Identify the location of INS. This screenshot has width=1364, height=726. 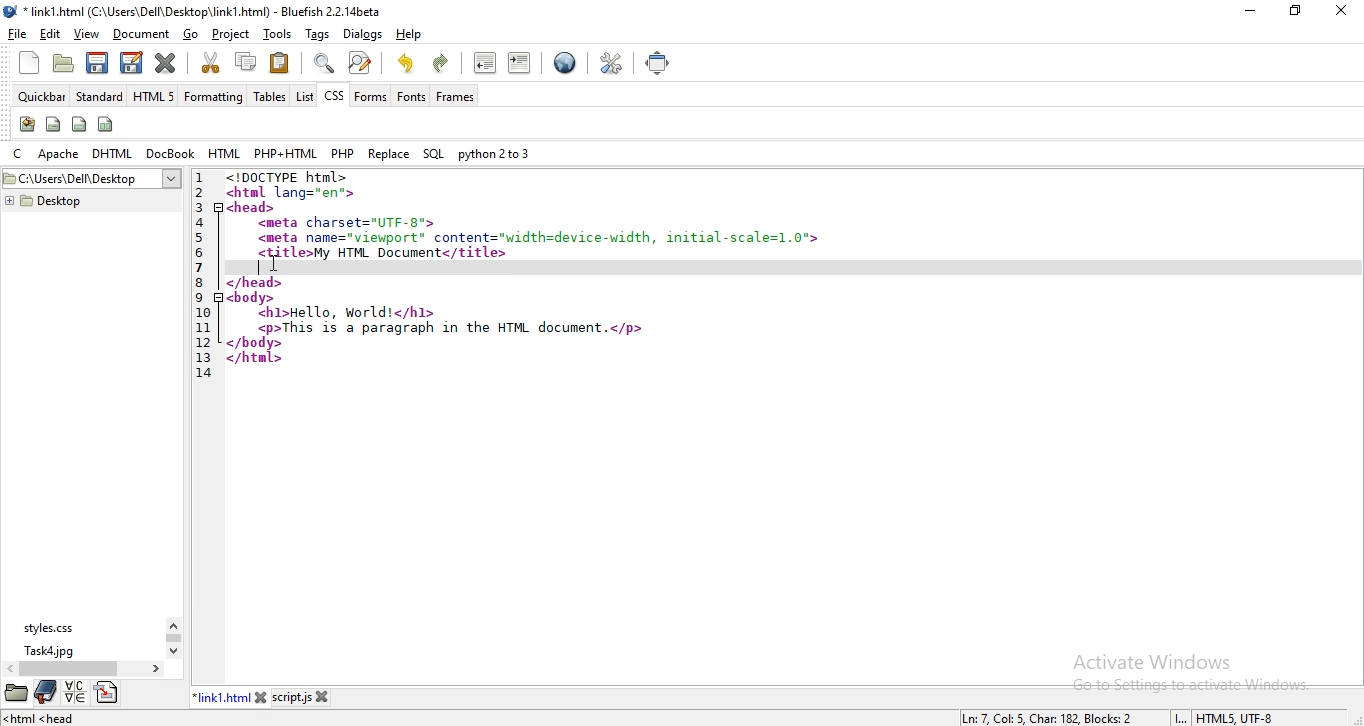
(1179, 718).